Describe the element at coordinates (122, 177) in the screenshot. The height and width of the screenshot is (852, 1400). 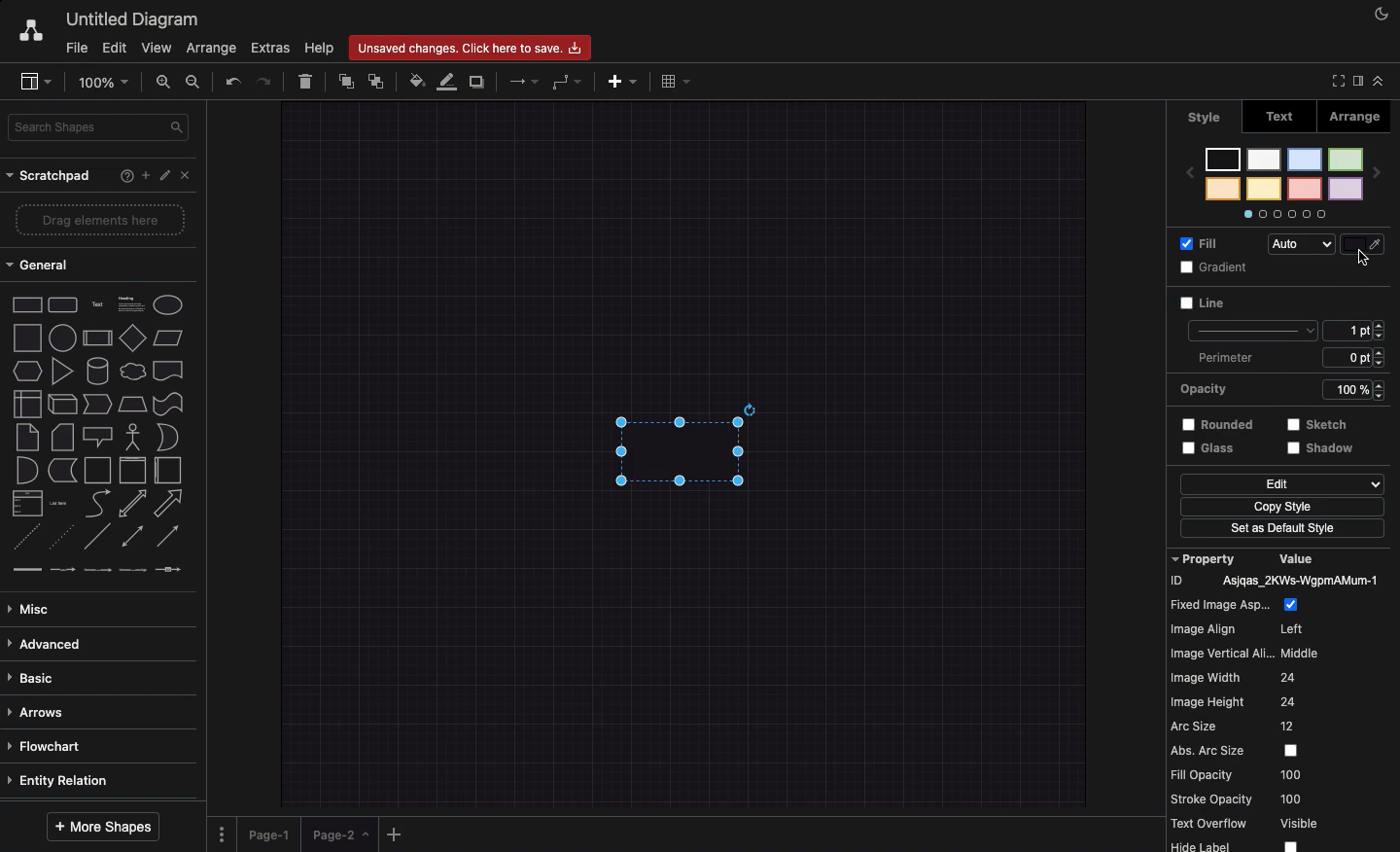
I see `Help` at that location.